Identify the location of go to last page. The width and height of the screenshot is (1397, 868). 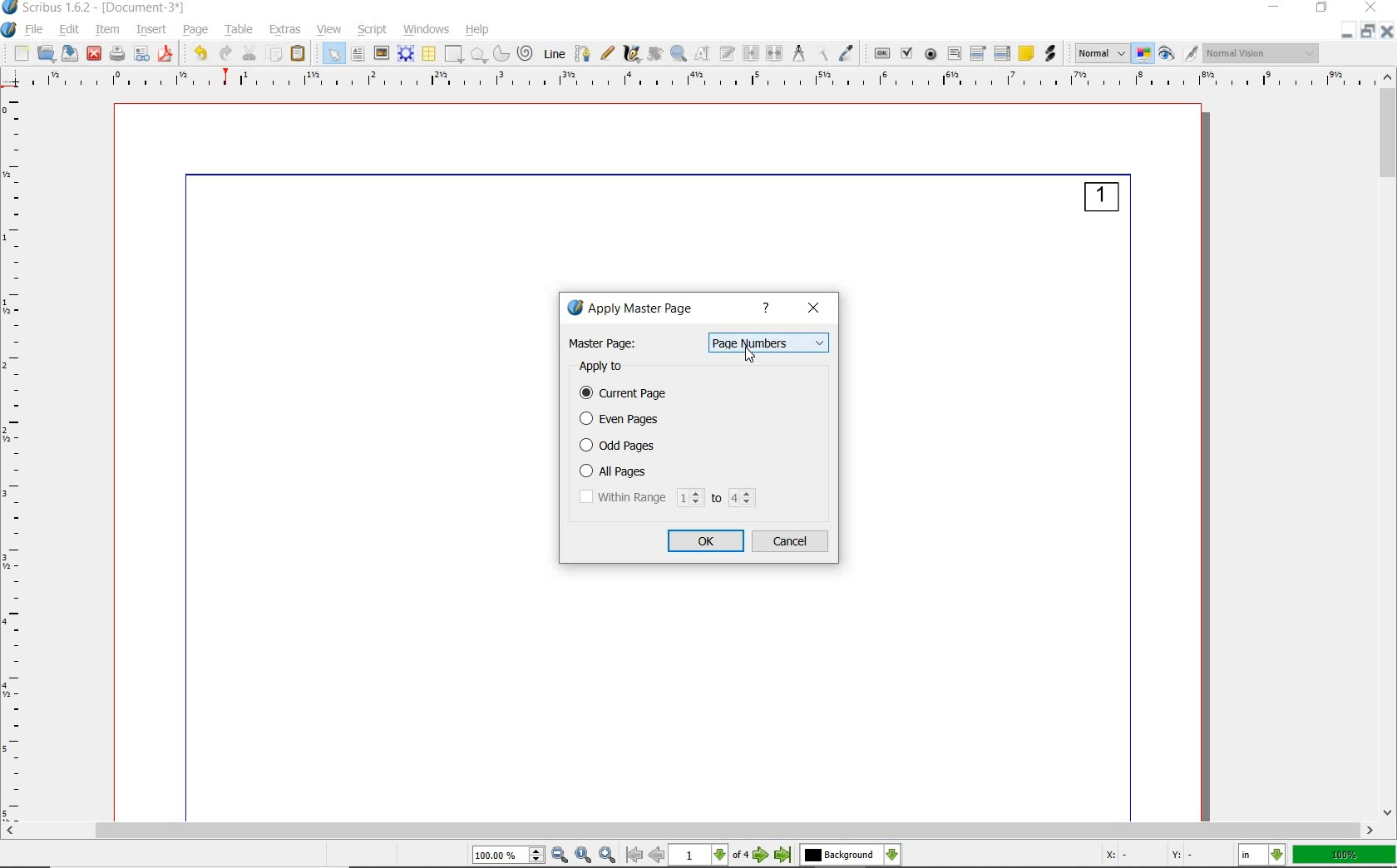
(783, 856).